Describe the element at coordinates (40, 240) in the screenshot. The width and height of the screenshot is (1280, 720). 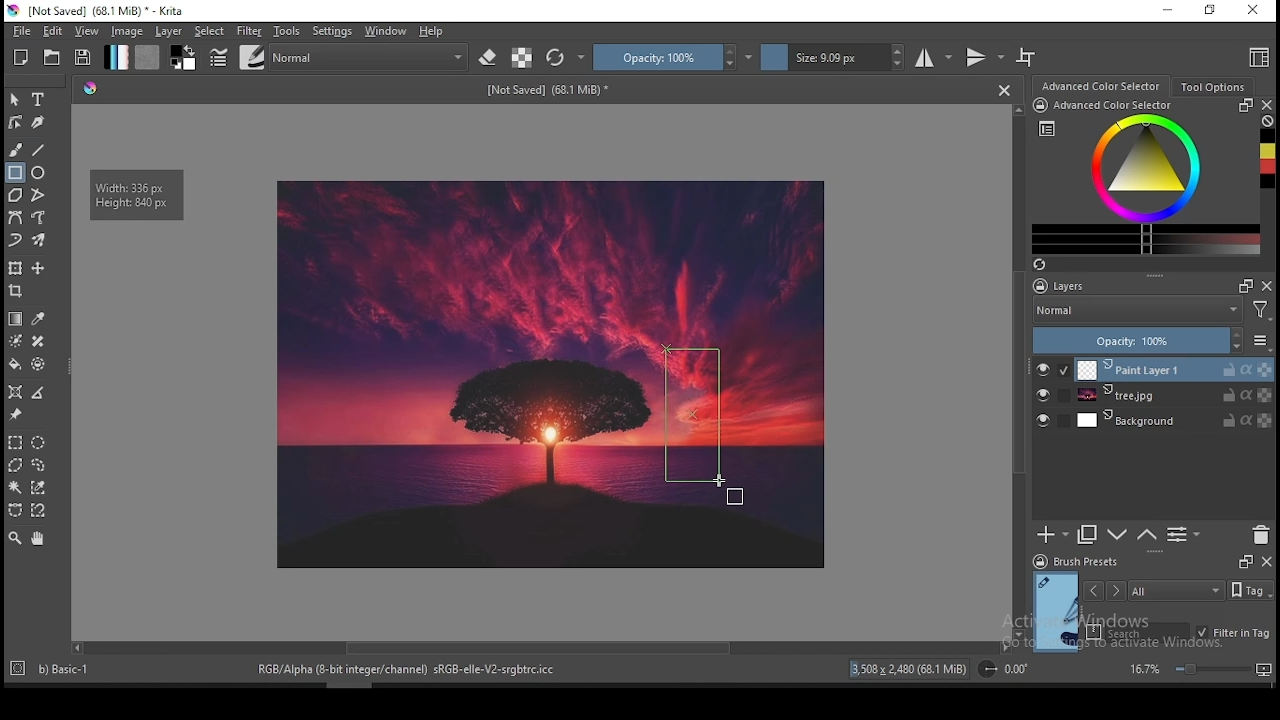
I see `multibrush tool` at that location.